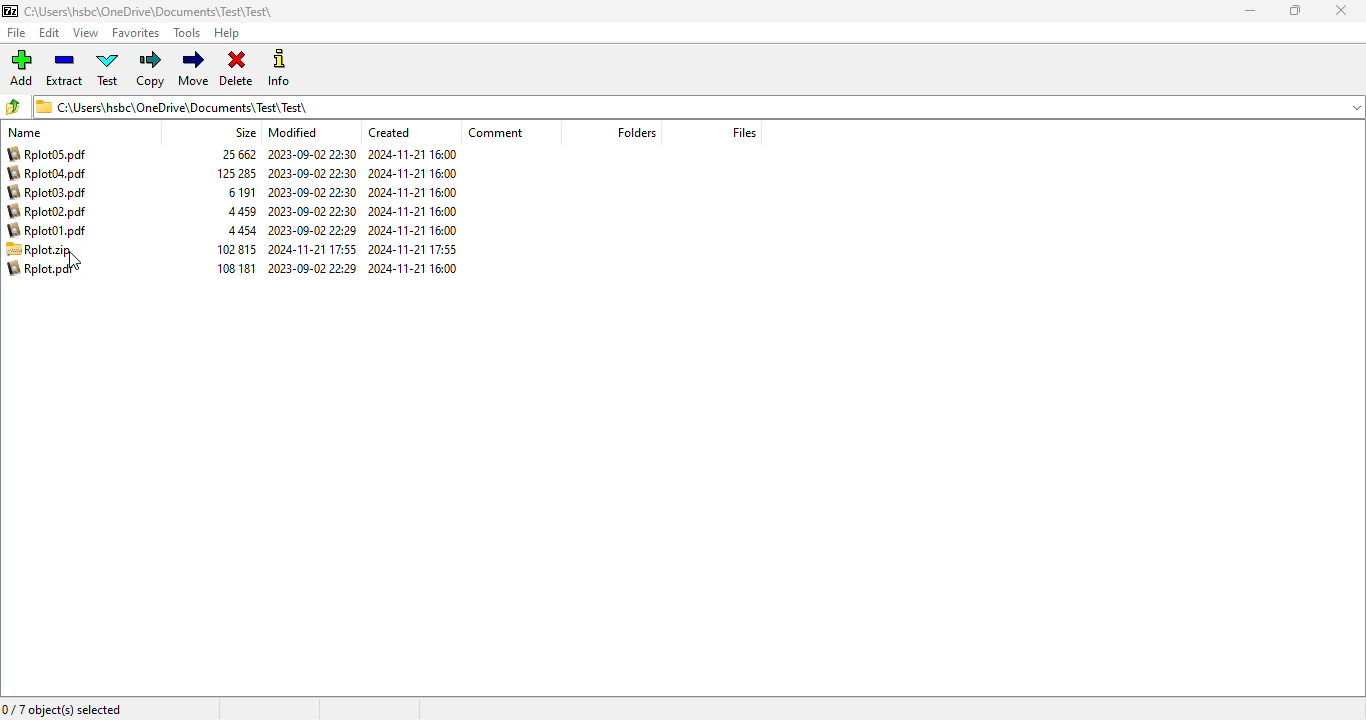 This screenshot has width=1366, height=720. What do you see at coordinates (73, 262) in the screenshot?
I see `cursor` at bounding box center [73, 262].